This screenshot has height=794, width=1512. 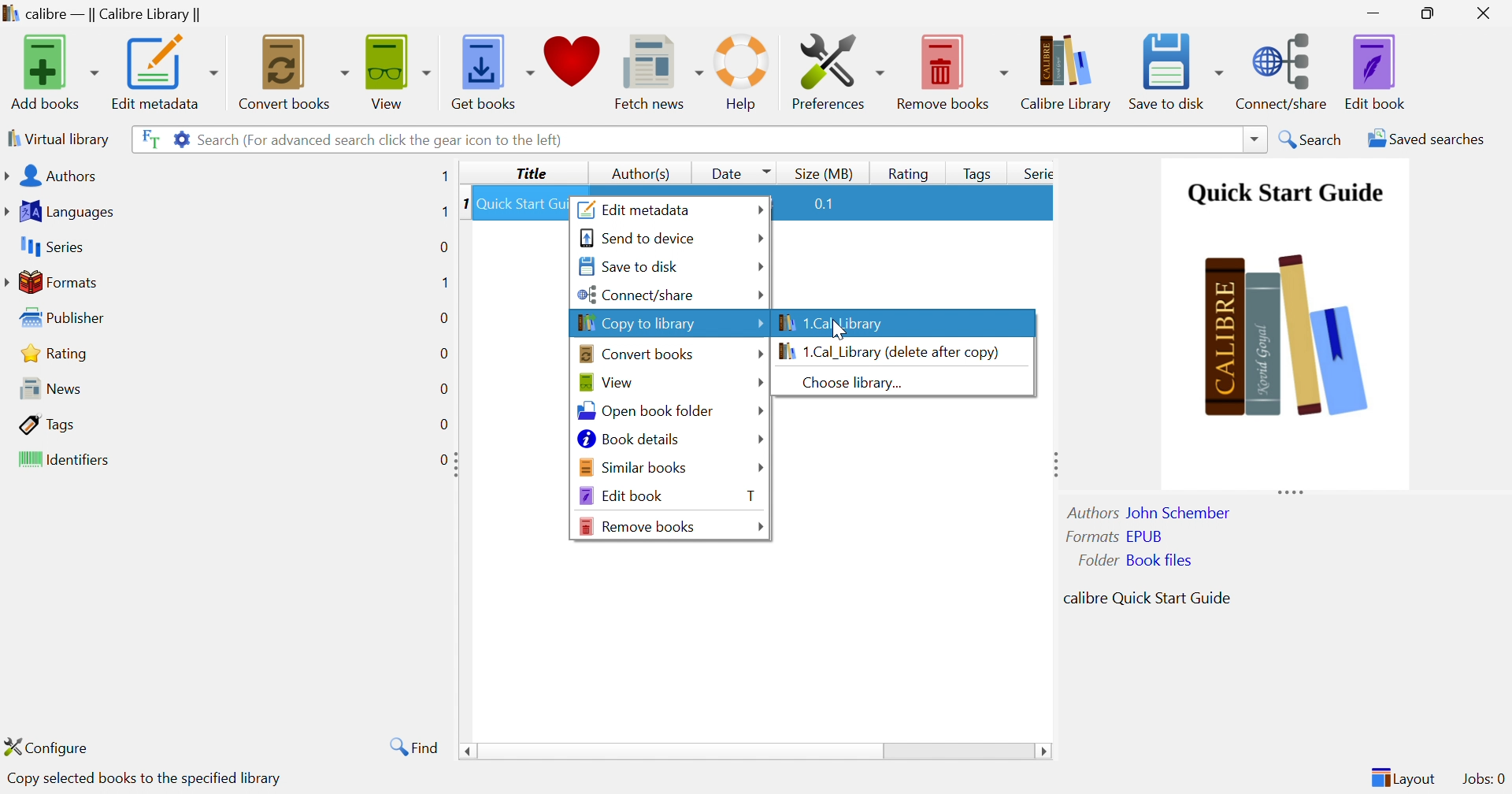 I want to click on T, so click(x=750, y=495).